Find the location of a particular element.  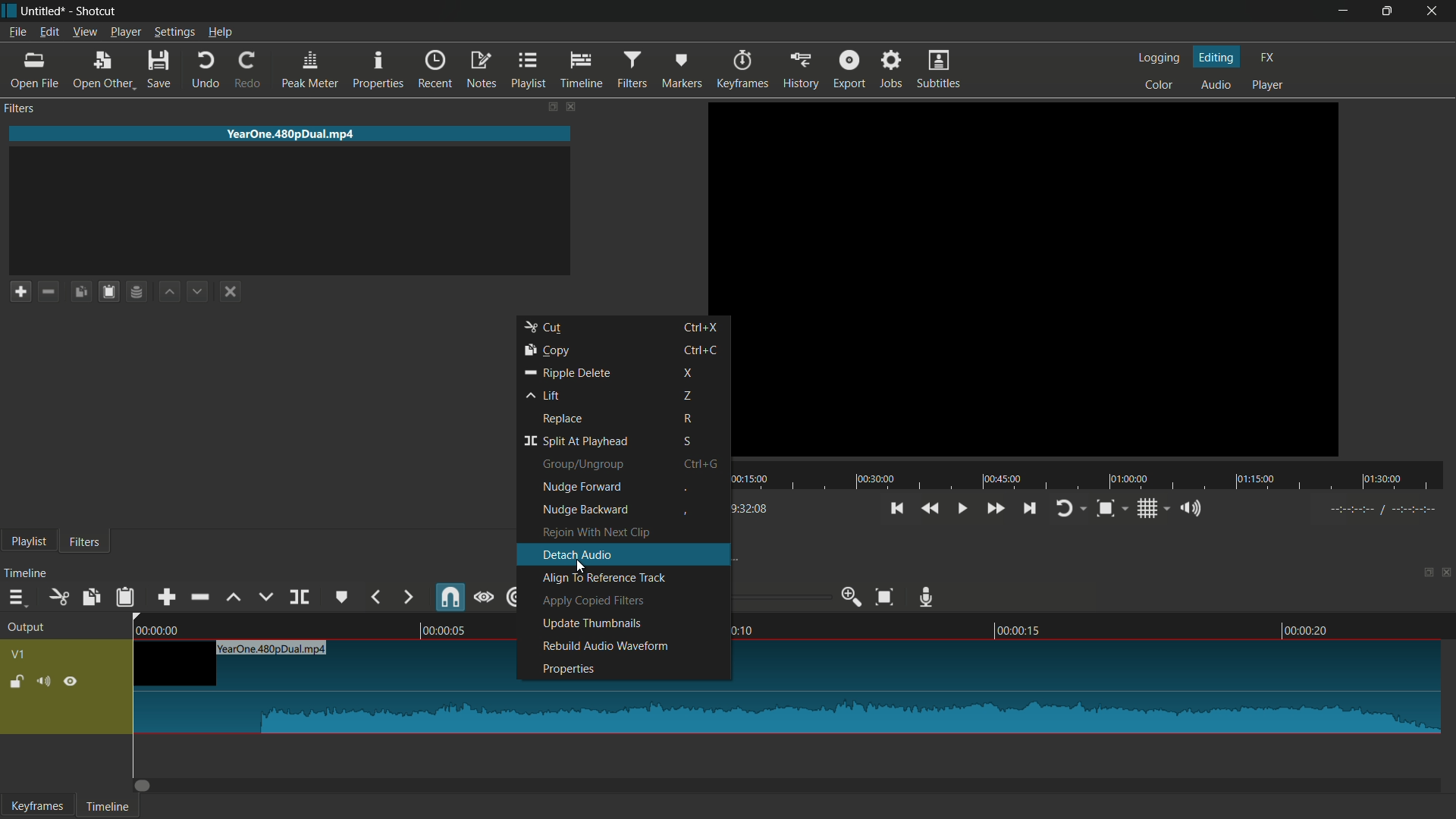

create or edit marker is located at coordinates (344, 597).